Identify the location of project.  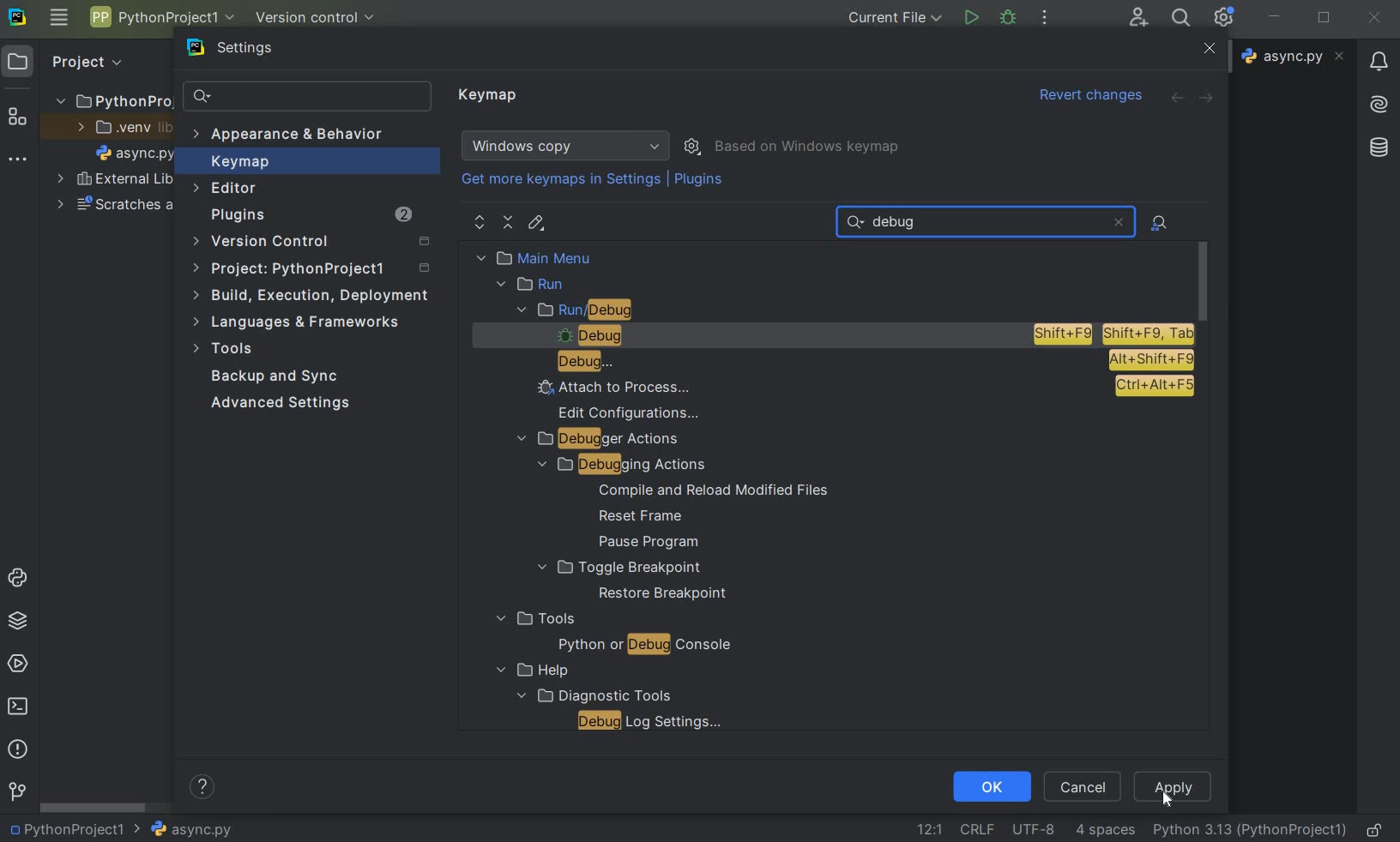
(314, 271).